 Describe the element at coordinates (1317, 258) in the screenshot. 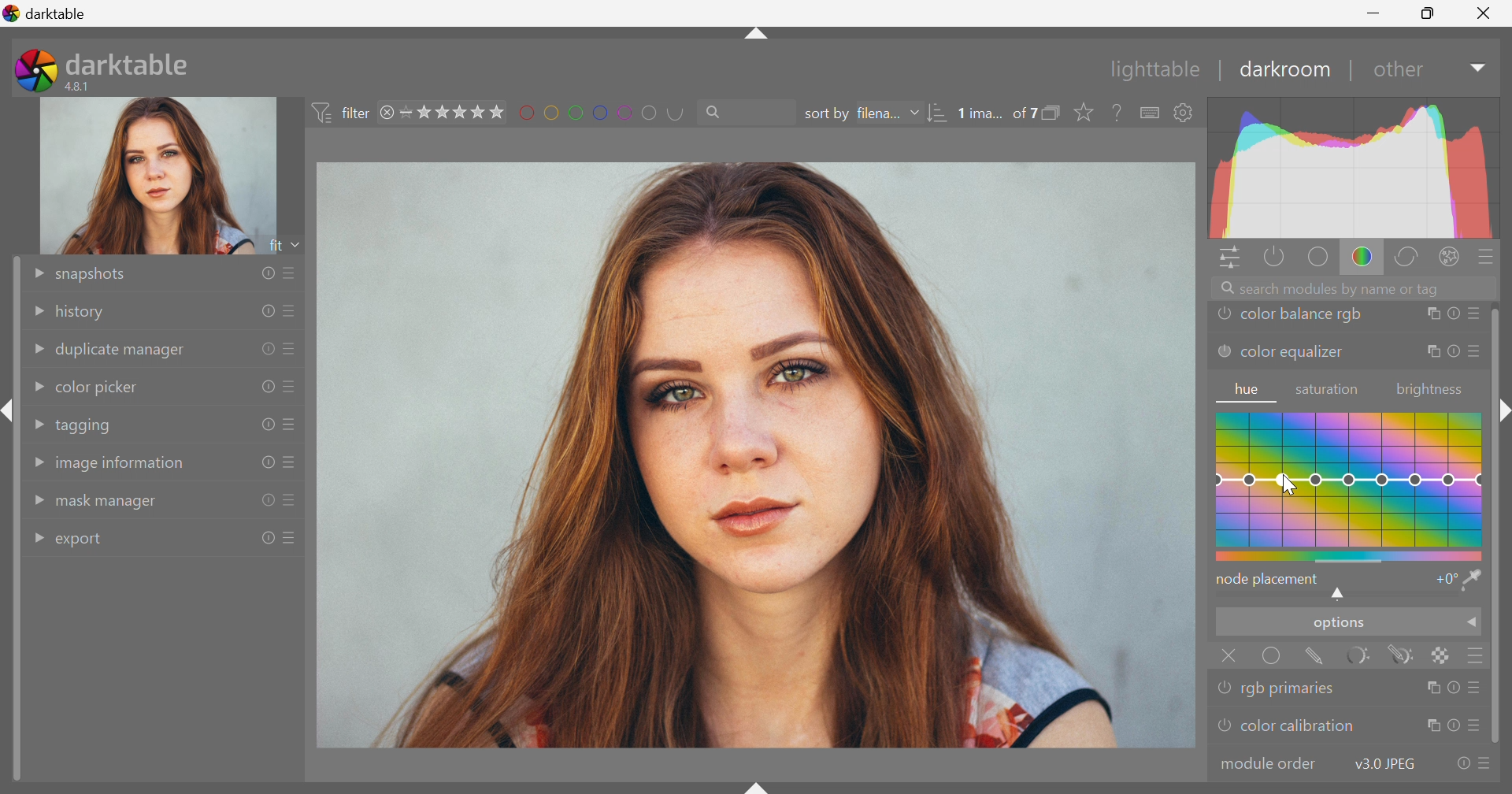

I see `base` at that location.